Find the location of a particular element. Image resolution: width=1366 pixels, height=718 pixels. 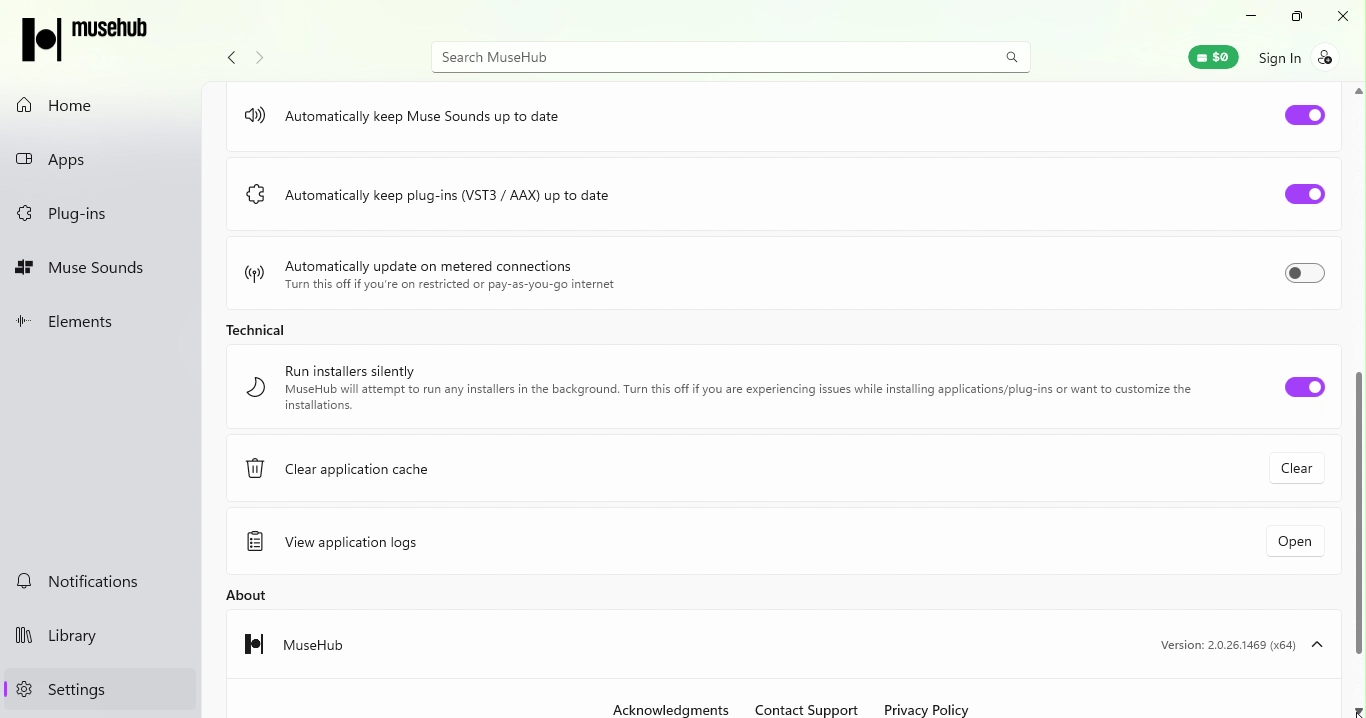

Muse sounds is located at coordinates (87, 269).